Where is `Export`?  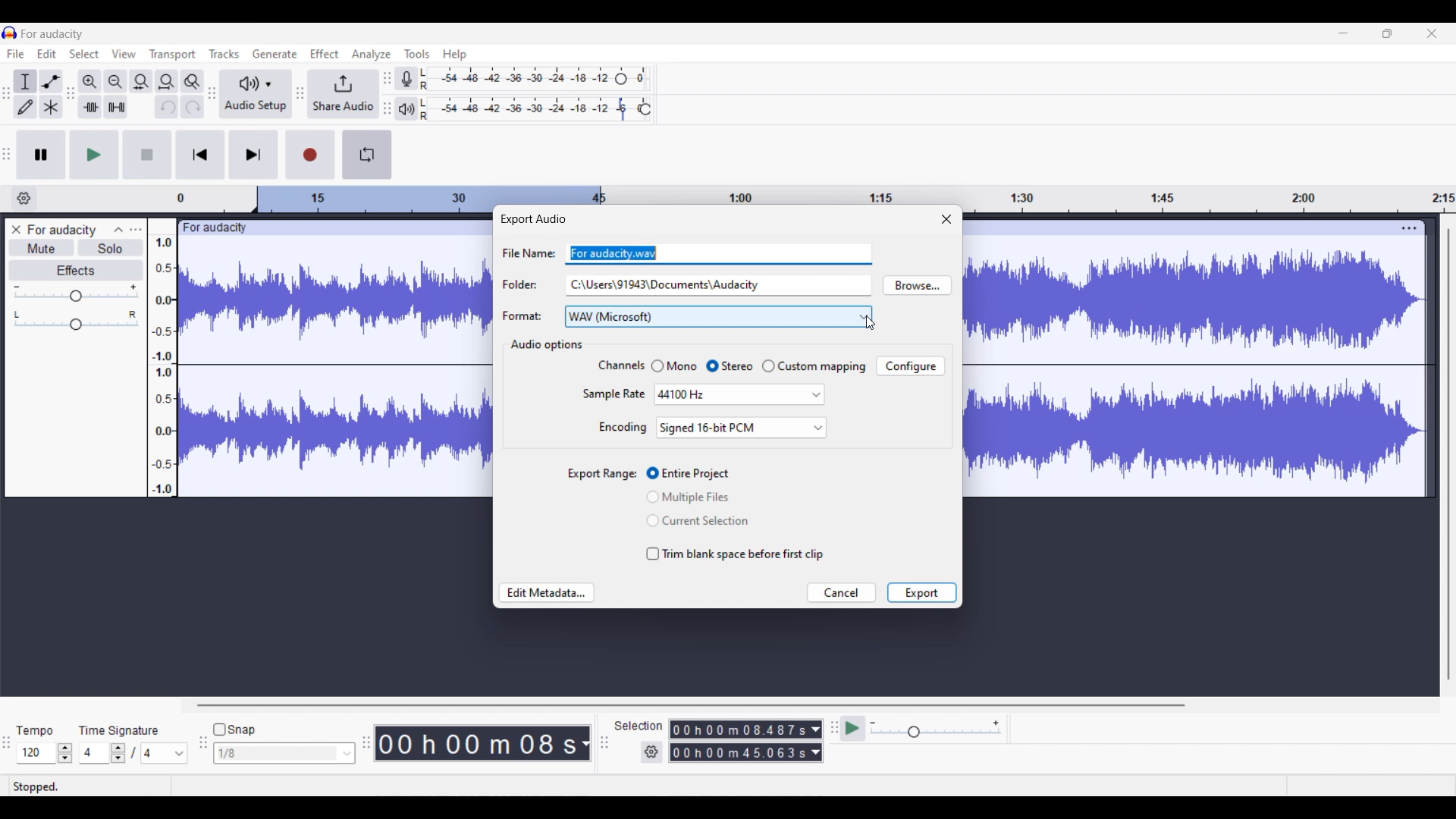
Export is located at coordinates (921, 592).